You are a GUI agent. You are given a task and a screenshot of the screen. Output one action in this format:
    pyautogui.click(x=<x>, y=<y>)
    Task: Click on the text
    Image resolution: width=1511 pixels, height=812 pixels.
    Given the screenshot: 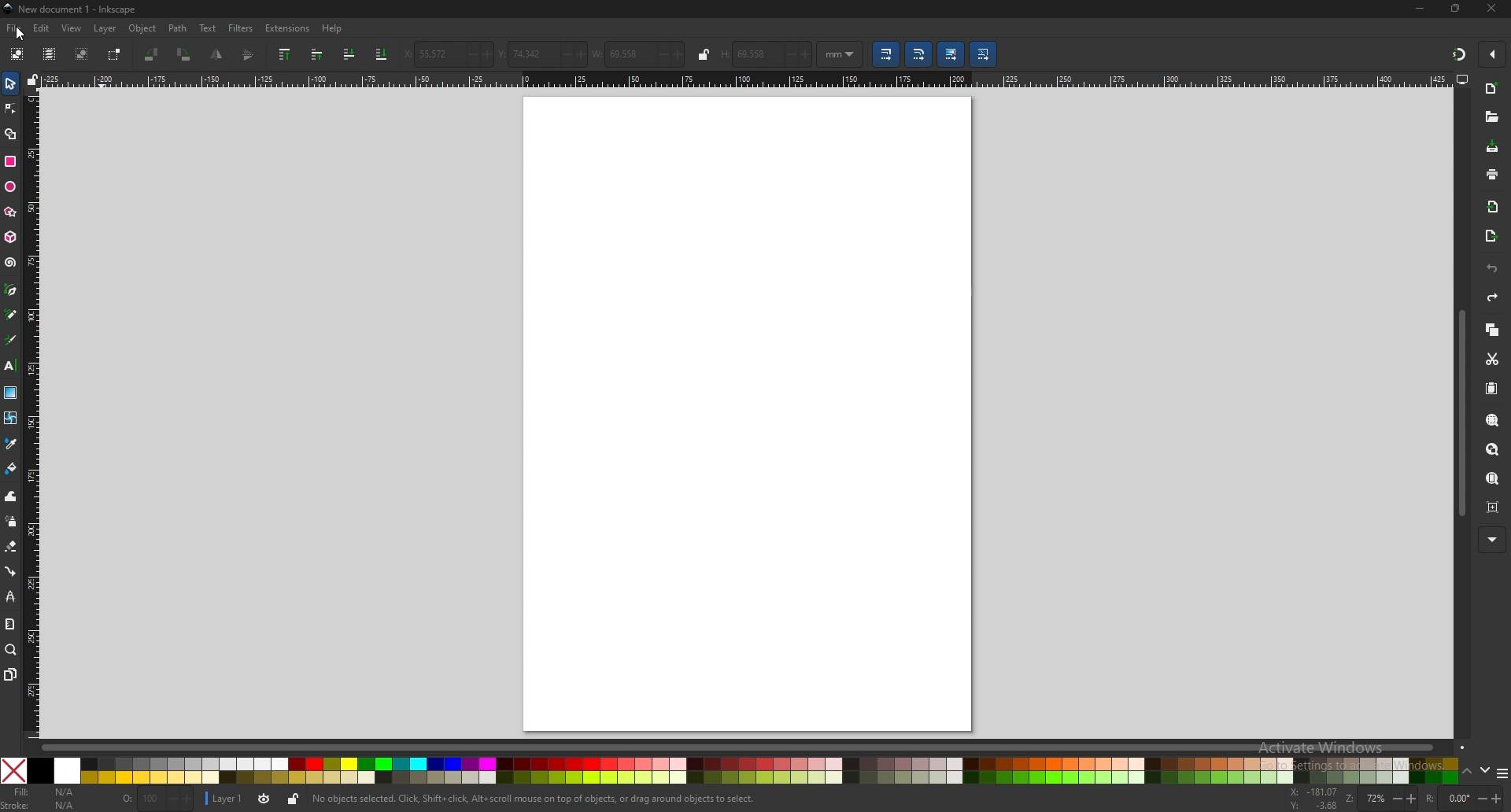 What is the action you would take?
    pyautogui.click(x=209, y=28)
    